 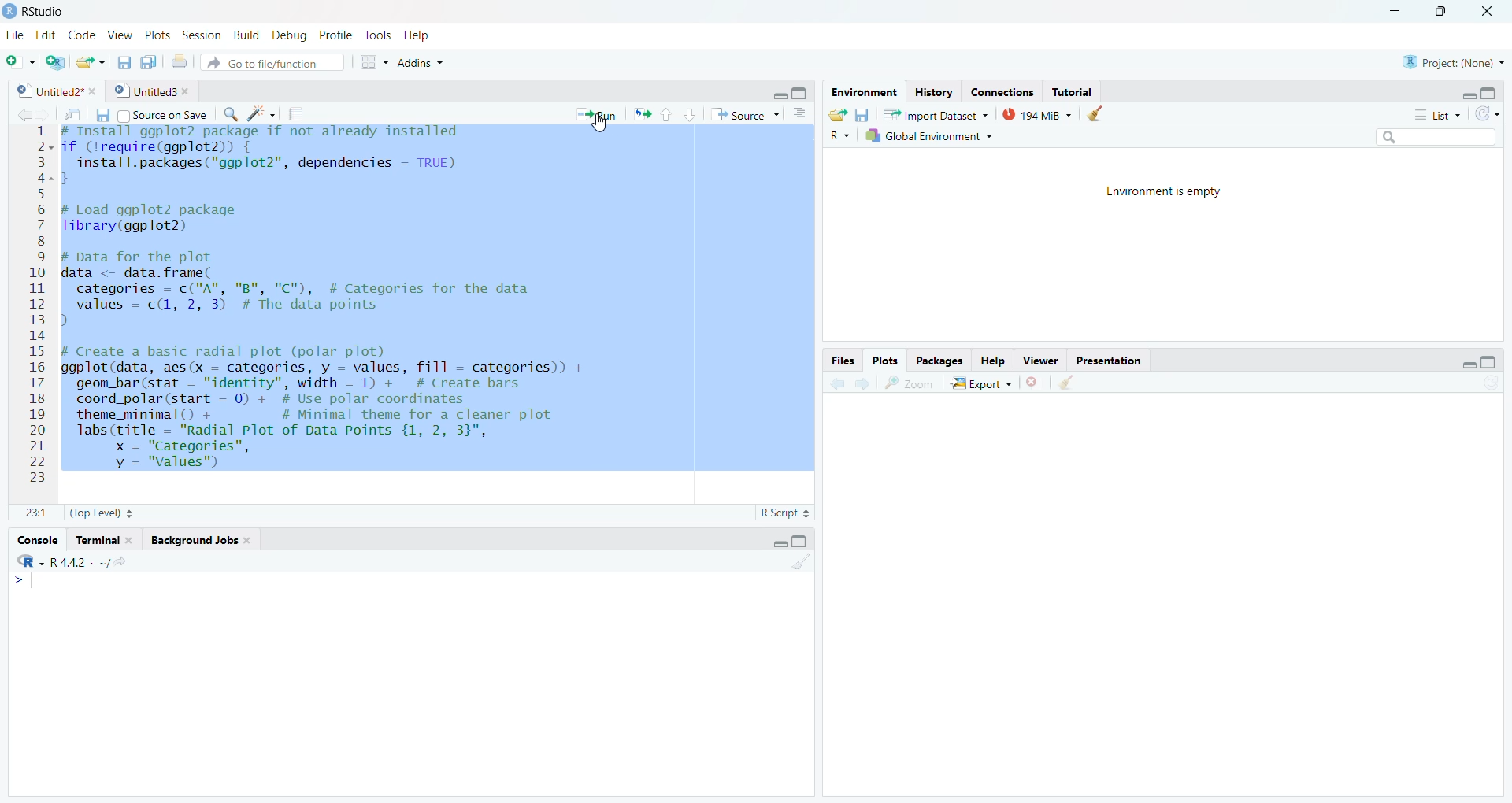 I want to click on print the current file, so click(x=182, y=62).